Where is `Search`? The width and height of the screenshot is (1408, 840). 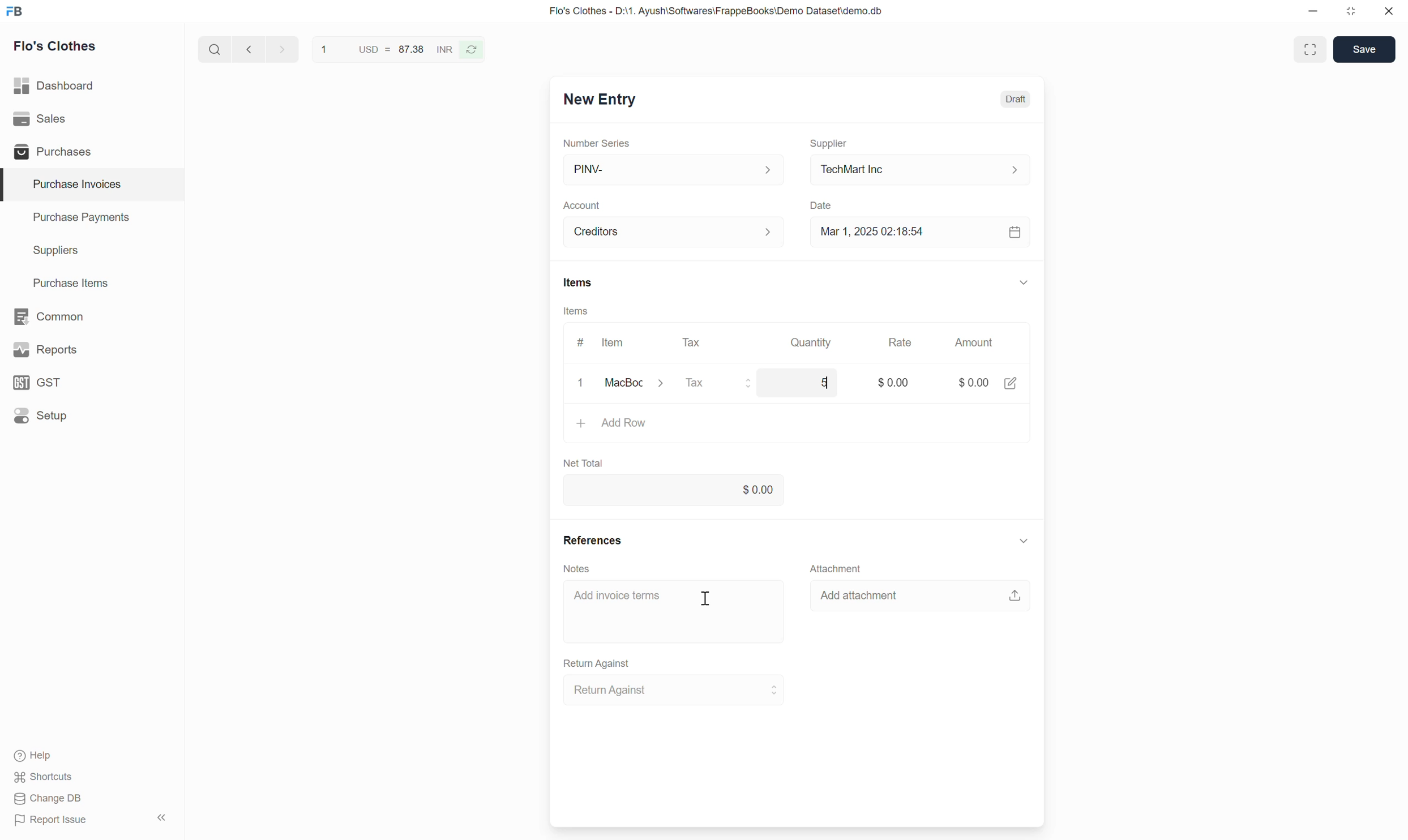 Search is located at coordinates (215, 49).